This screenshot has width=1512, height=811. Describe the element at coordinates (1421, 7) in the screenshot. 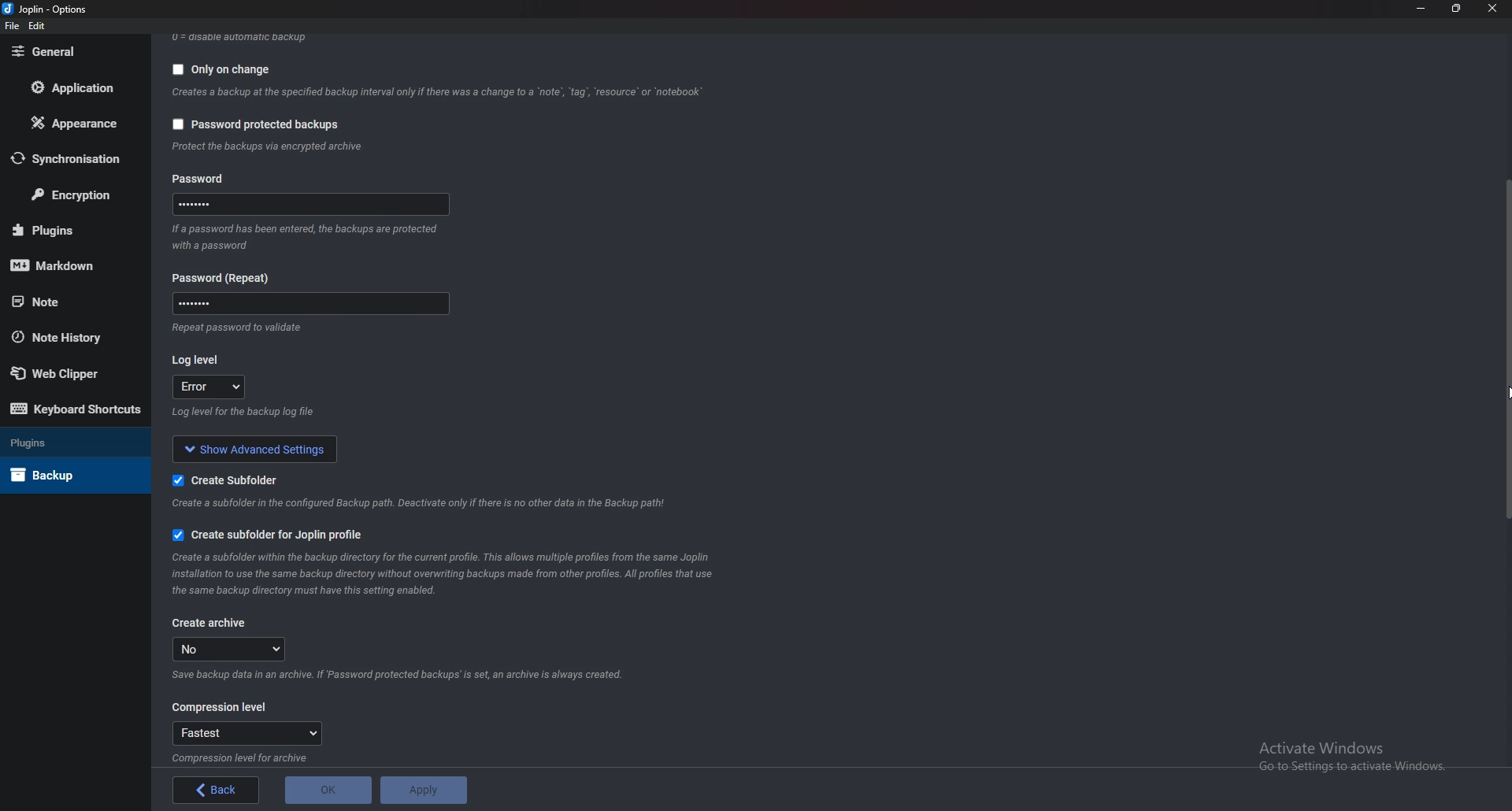

I see `Minimize` at that location.